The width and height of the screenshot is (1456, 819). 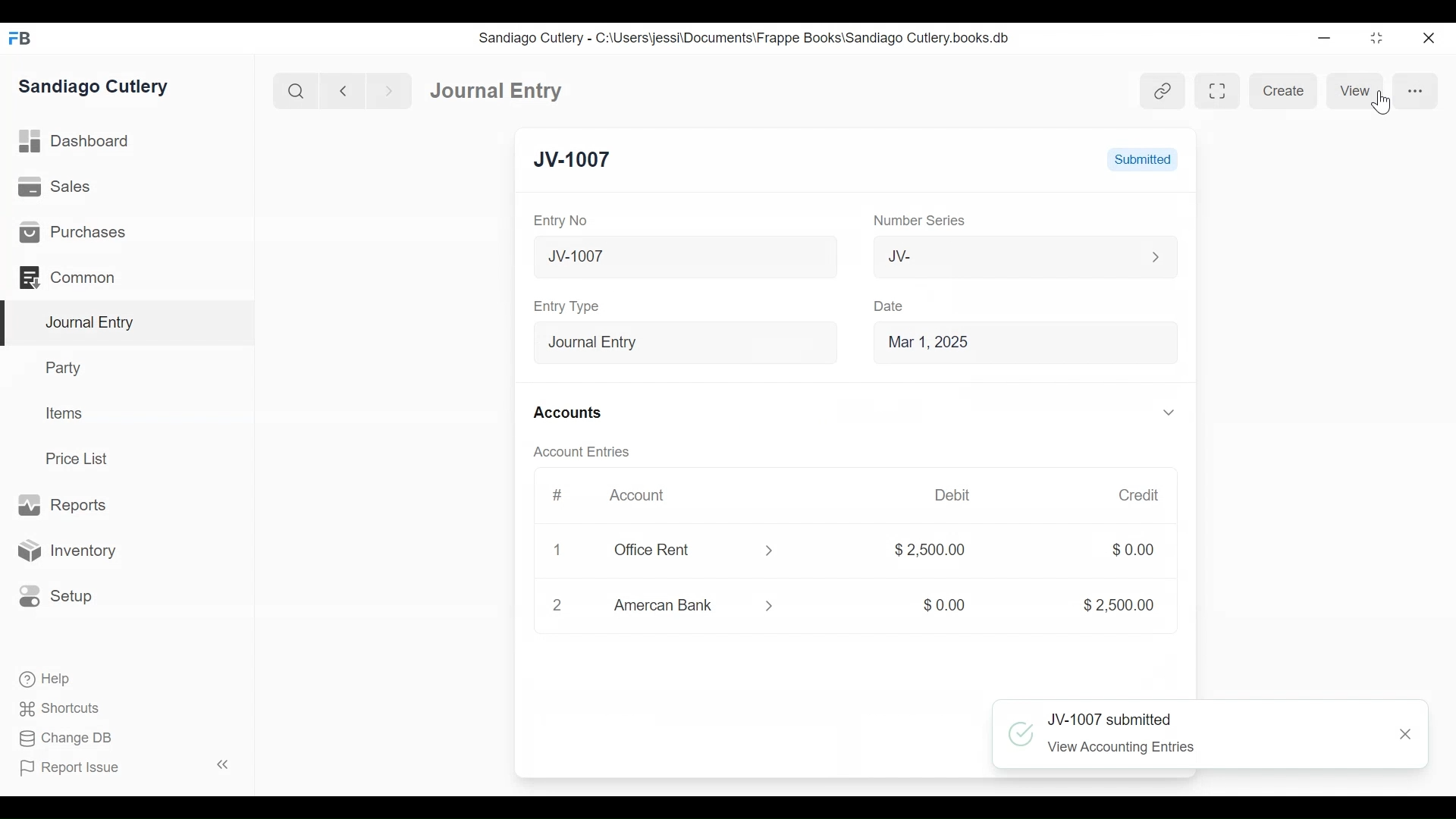 I want to click on close, so click(x=1401, y=736).